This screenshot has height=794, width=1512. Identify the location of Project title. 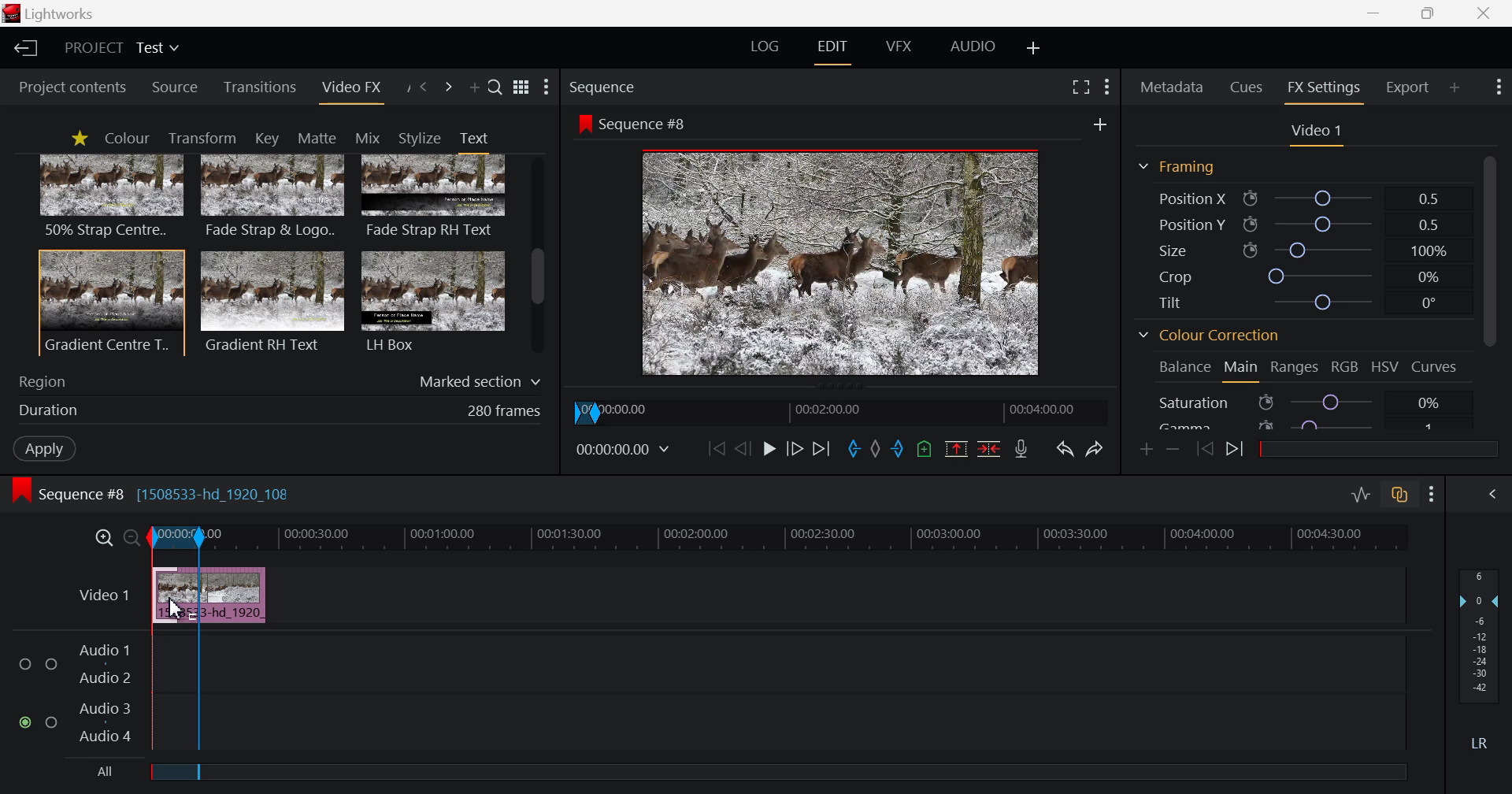
(124, 48).